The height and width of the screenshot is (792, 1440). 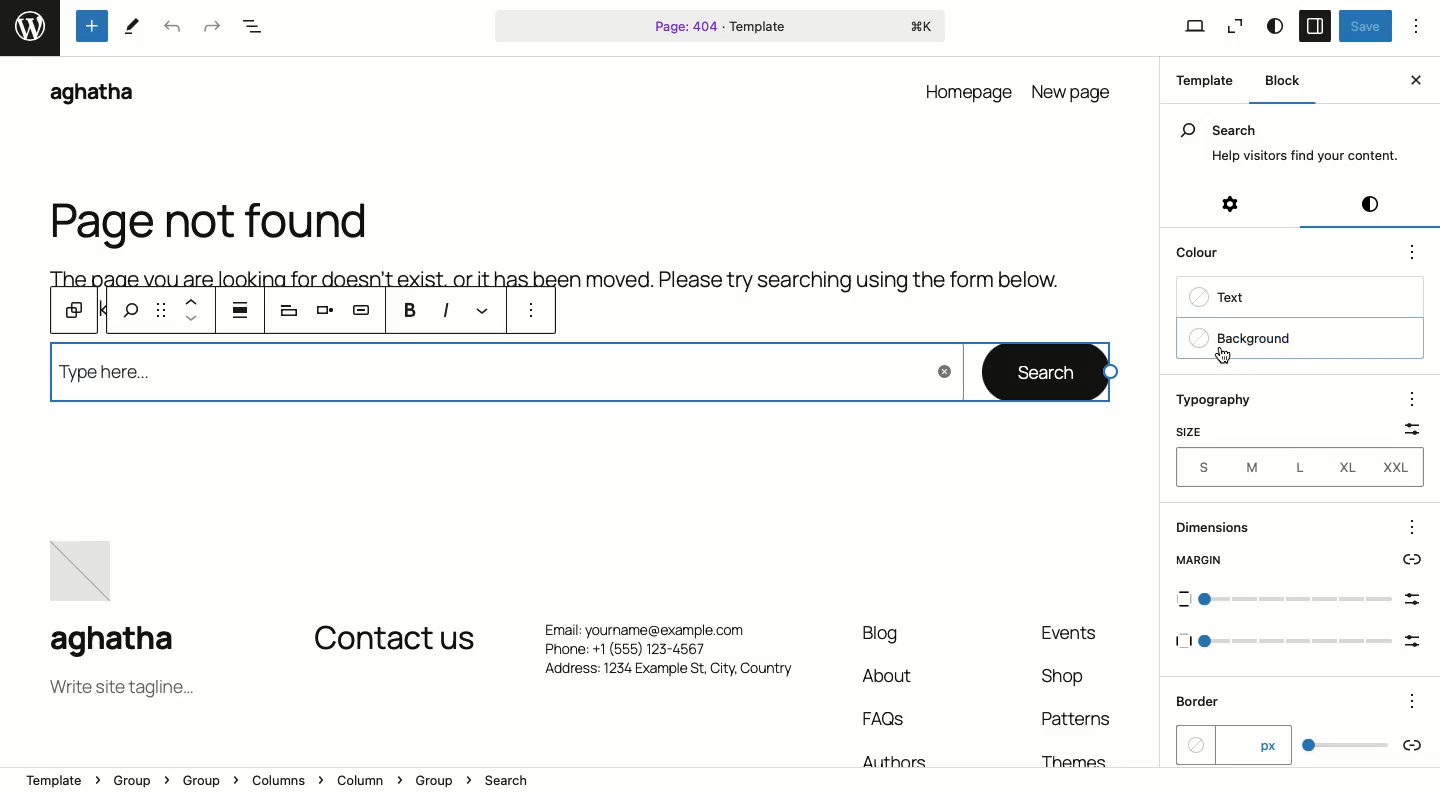 What do you see at coordinates (667, 674) in the screenshot?
I see `Address: 1234 Example St, City. Country` at bounding box center [667, 674].